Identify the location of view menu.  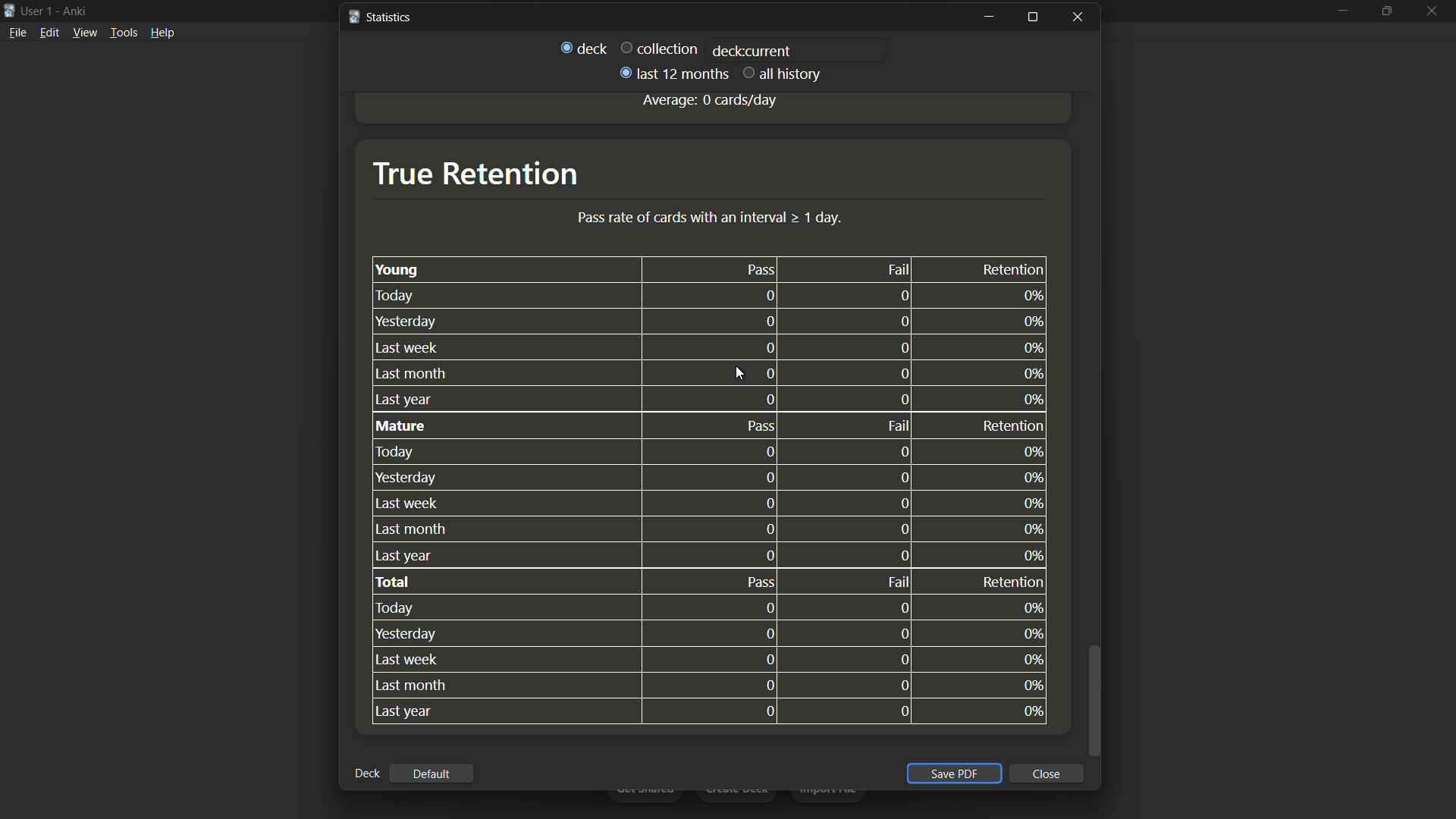
(85, 33).